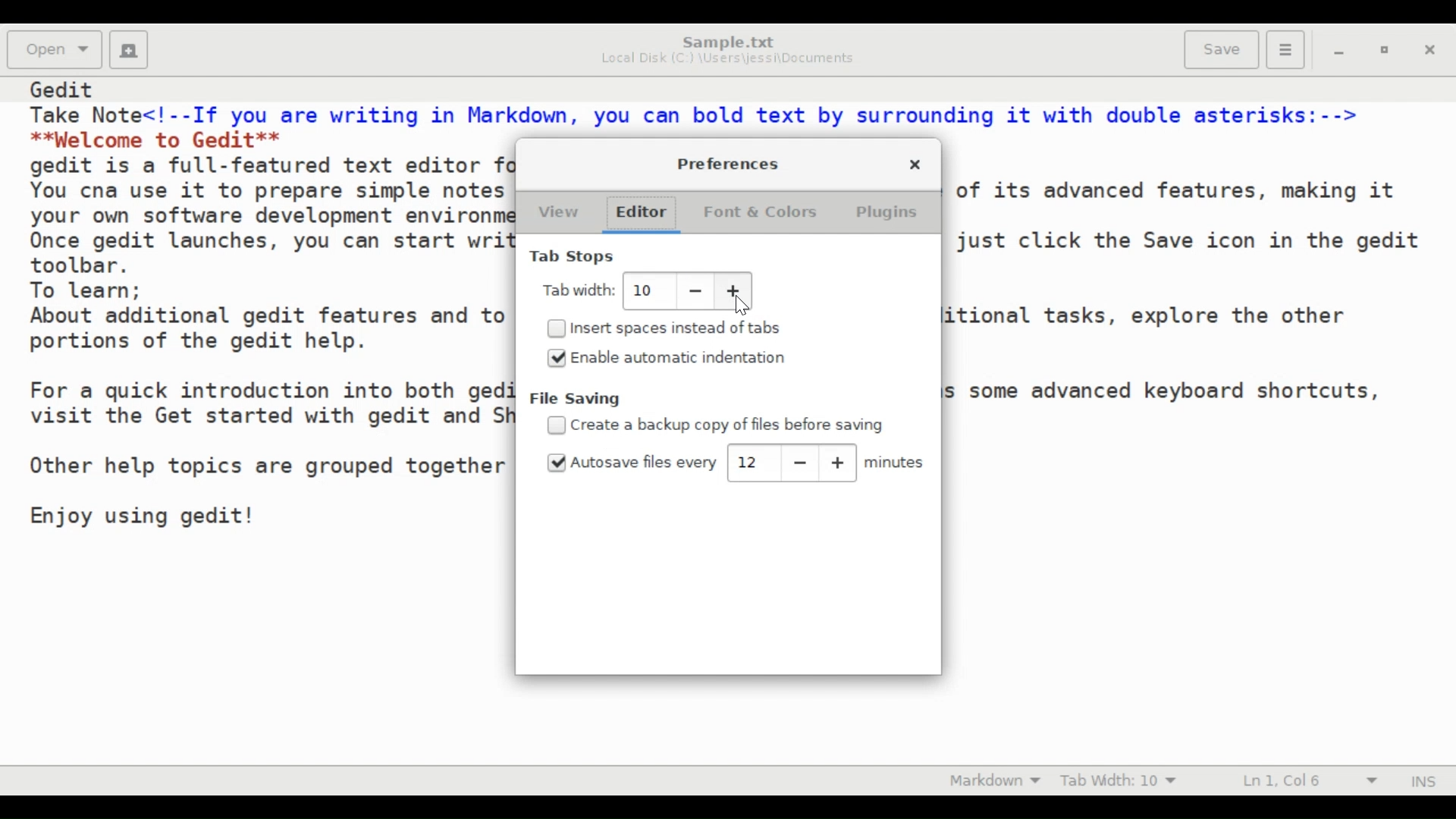  What do you see at coordinates (728, 60) in the screenshot?
I see `Local Disk (C:) \Users\jessi\Documents` at bounding box center [728, 60].